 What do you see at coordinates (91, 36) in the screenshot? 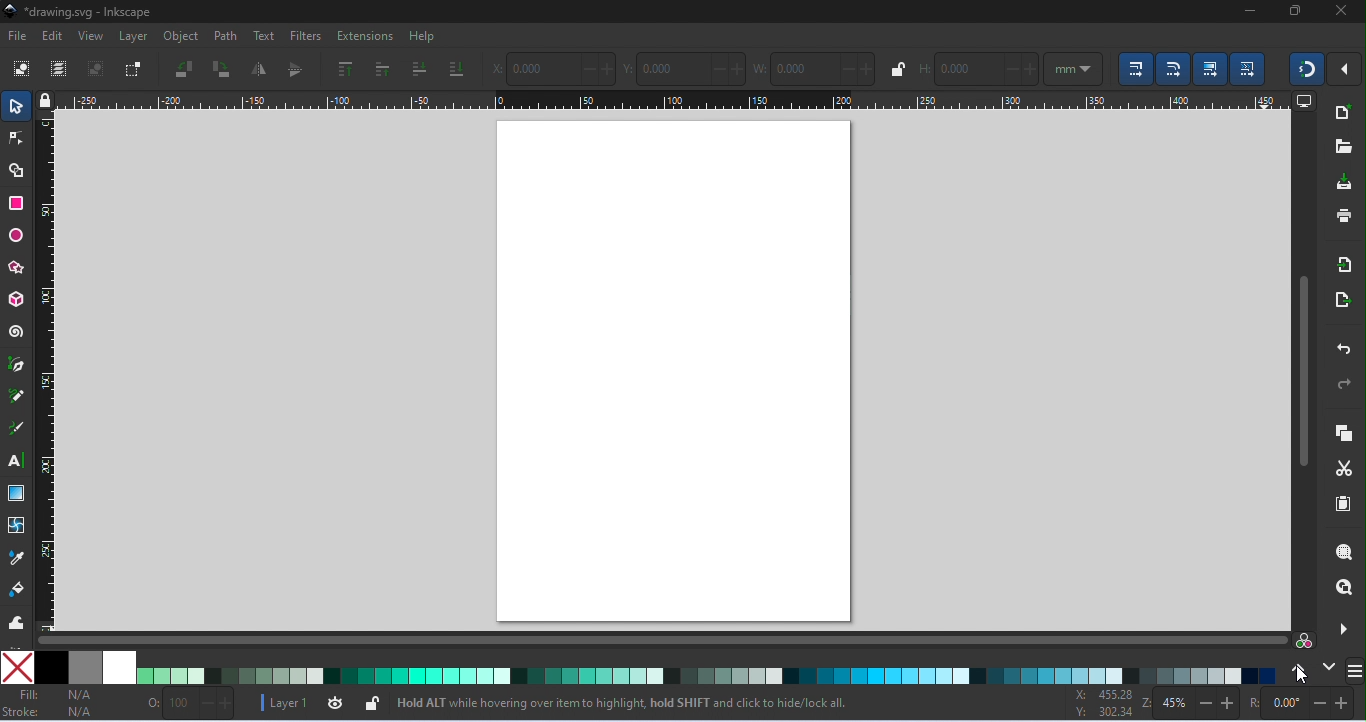
I see `view` at bounding box center [91, 36].